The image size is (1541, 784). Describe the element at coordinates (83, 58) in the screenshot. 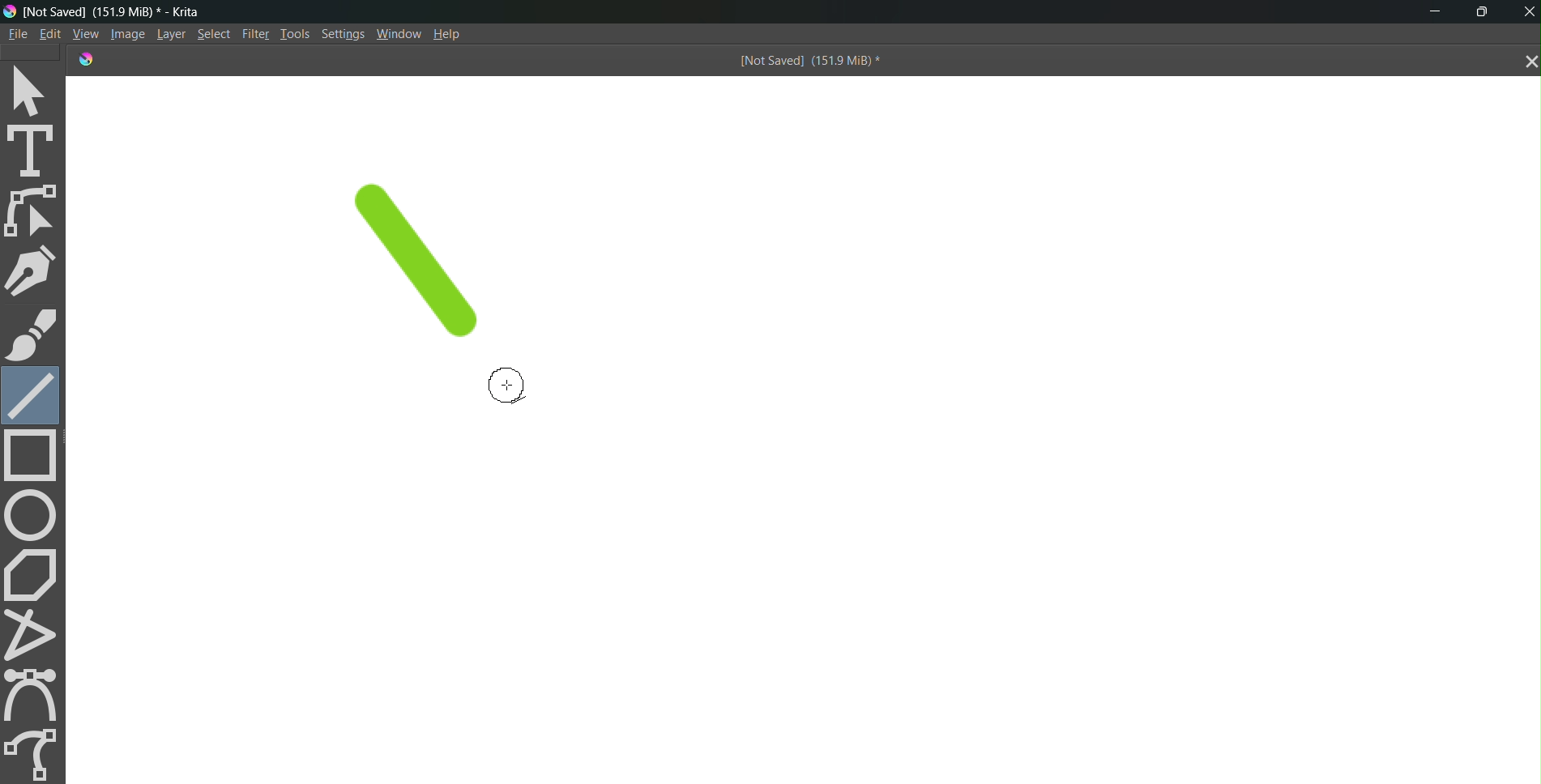

I see `logo` at that location.